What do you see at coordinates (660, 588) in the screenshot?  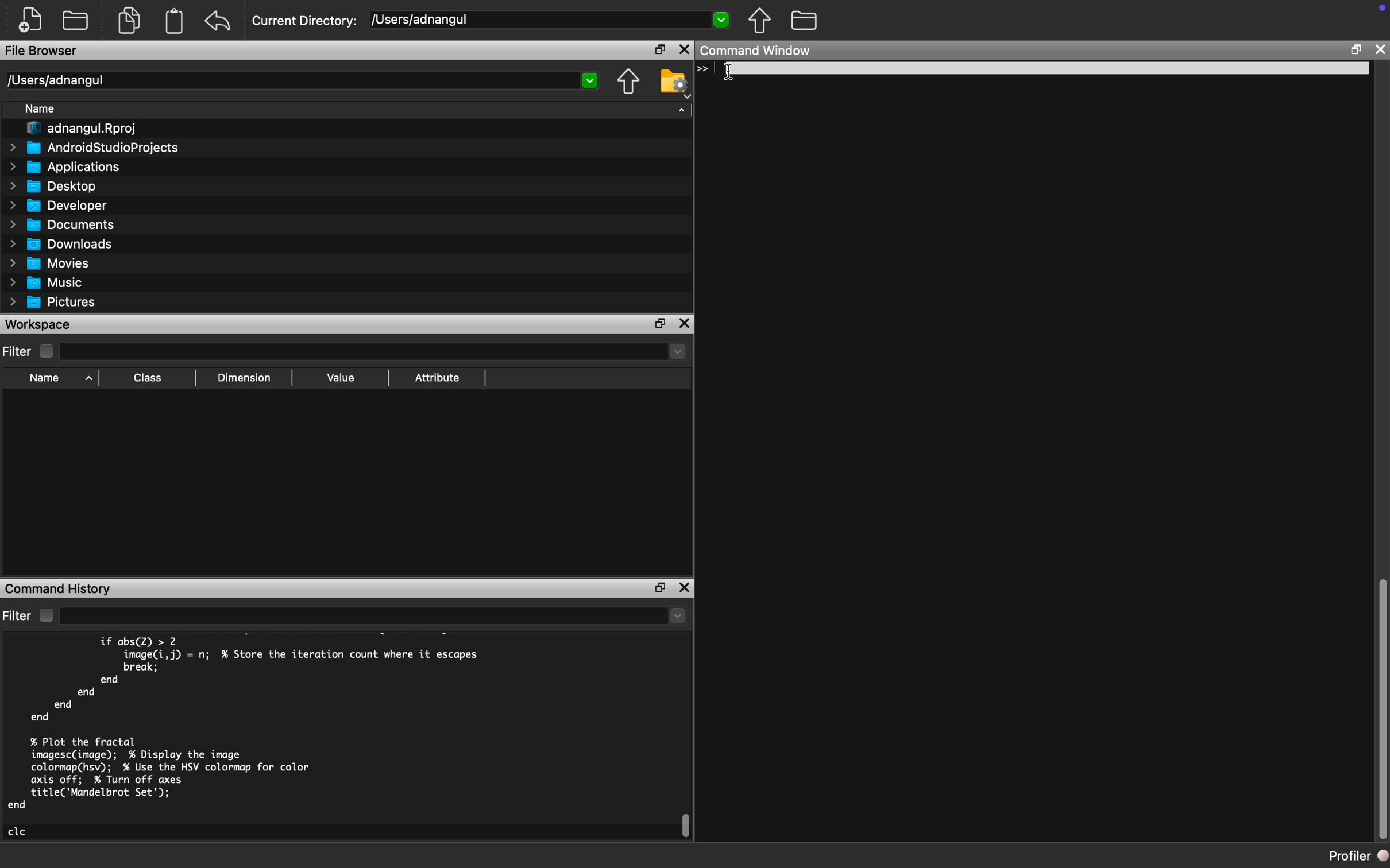 I see `Restore Down` at bounding box center [660, 588].